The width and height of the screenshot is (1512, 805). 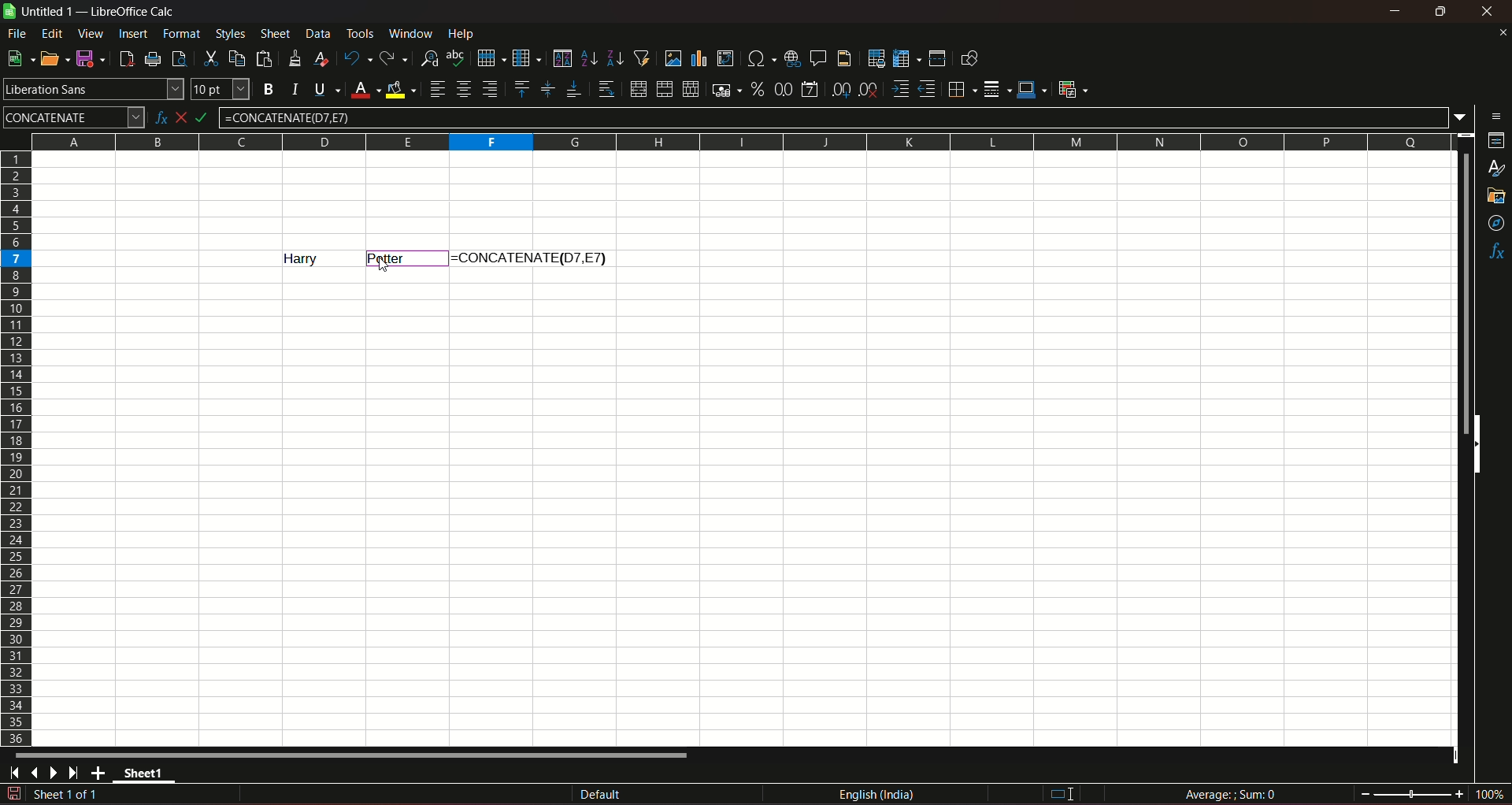 I want to click on paste, so click(x=266, y=58).